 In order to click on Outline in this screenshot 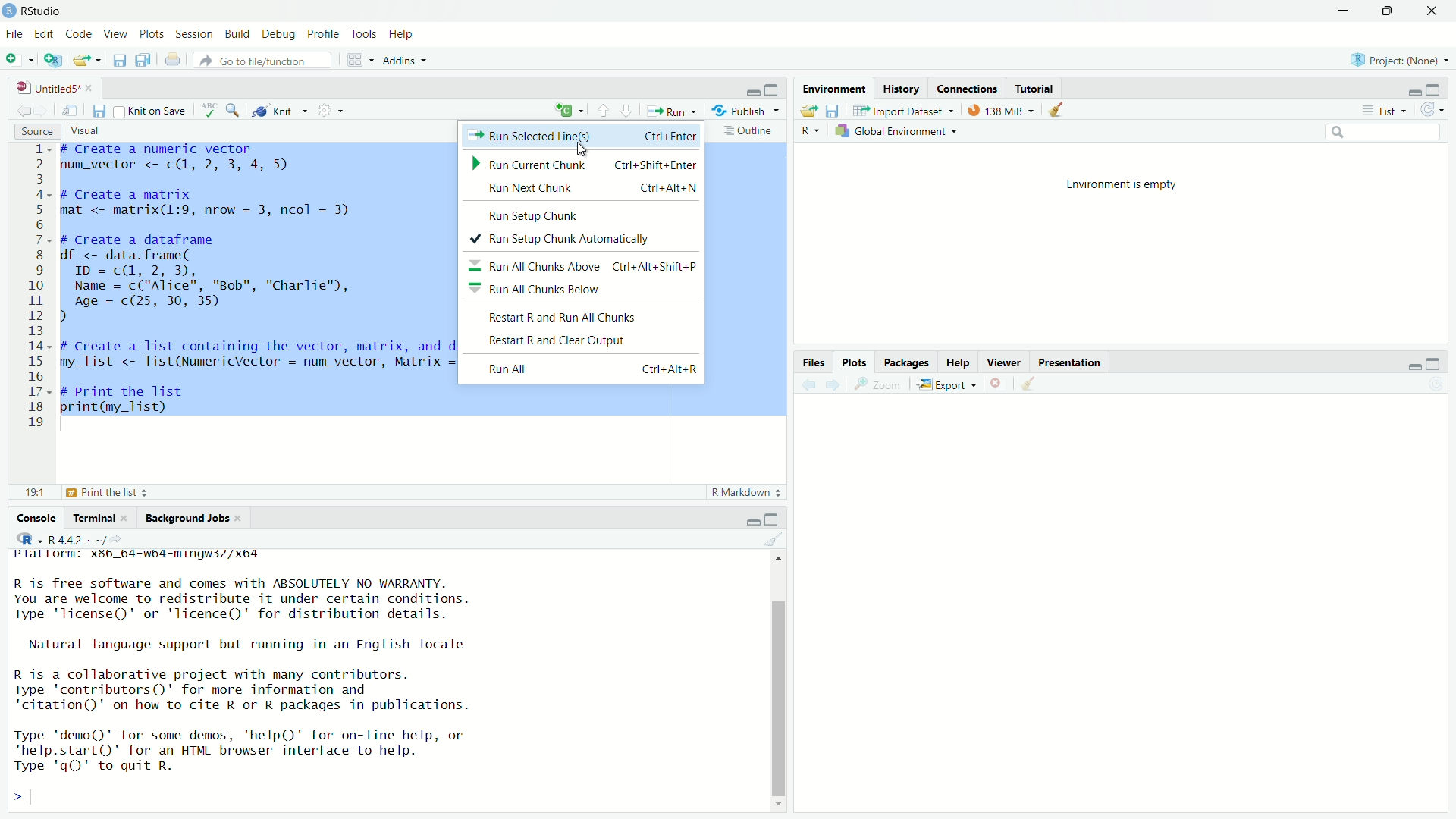, I will do `click(749, 133)`.